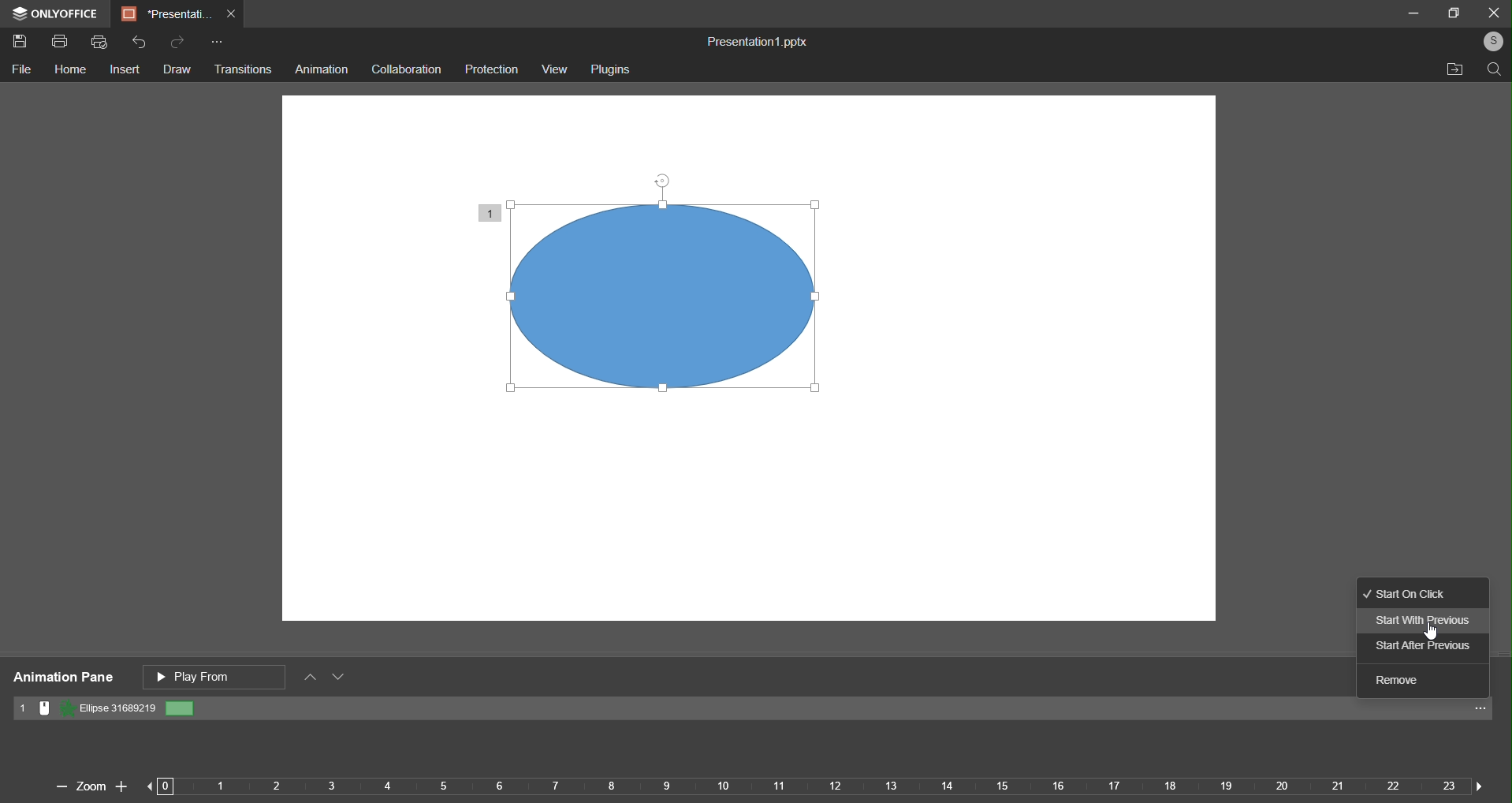  What do you see at coordinates (1493, 11) in the screenshot?
I see `close` at bounding box center [1493, 11].